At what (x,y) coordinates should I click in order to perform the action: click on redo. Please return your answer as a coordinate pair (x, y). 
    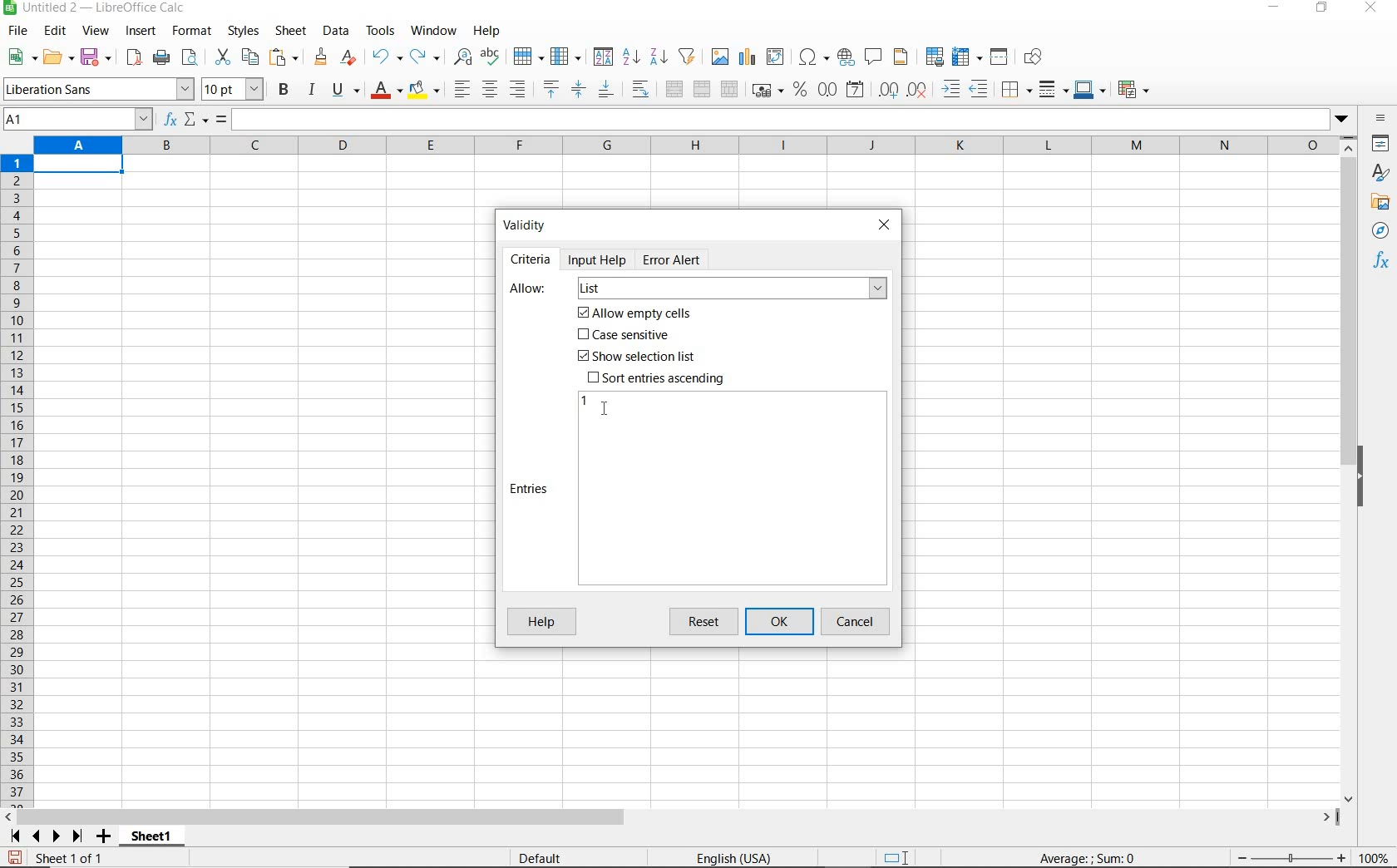
    Looking at the image, I should click on (424, 57).